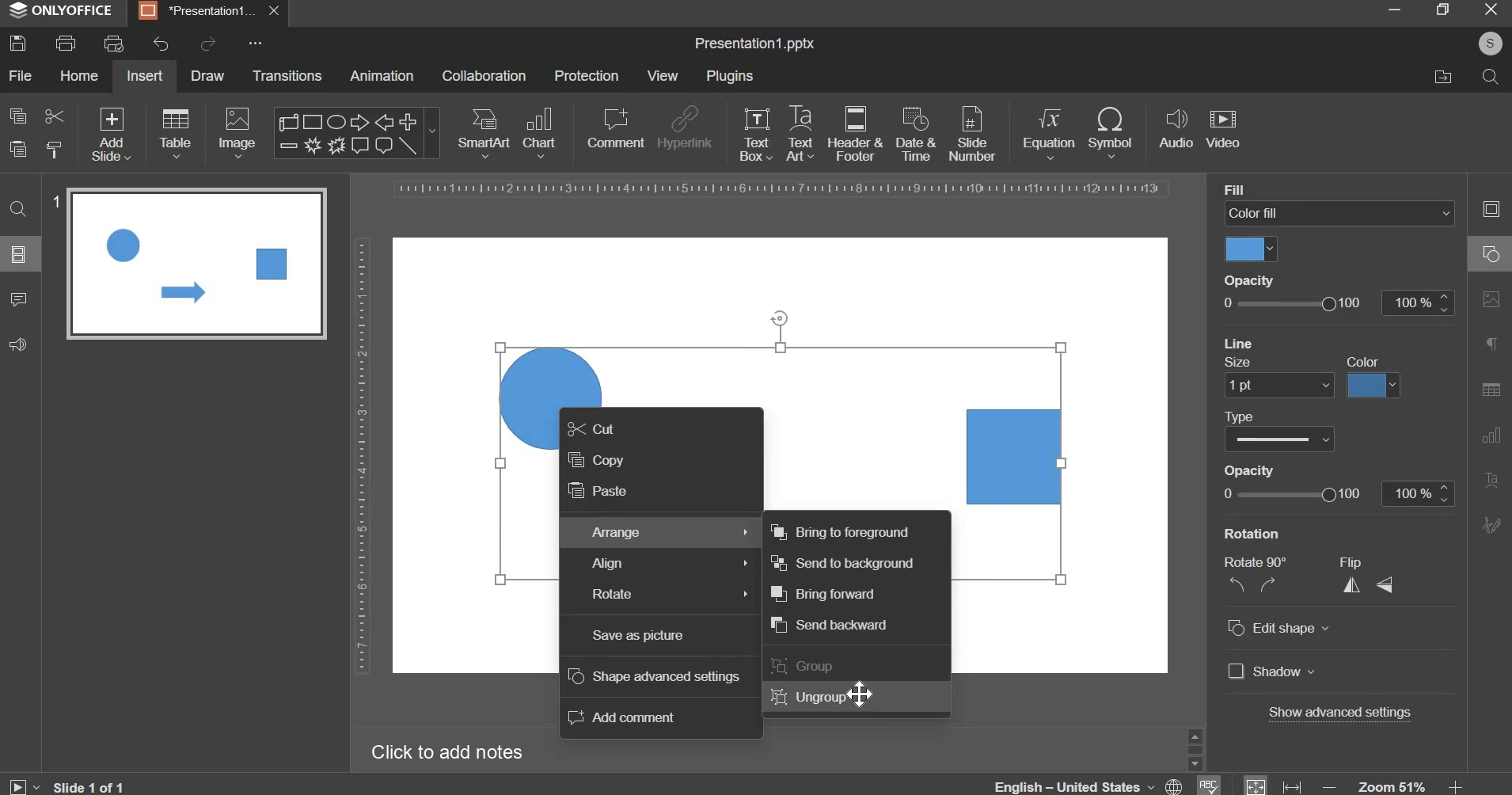 The width and height of the screenshot is (1512, 795). Describe the element at coordinates (625, 717) in the screenshot. I see `add comment` at that location.